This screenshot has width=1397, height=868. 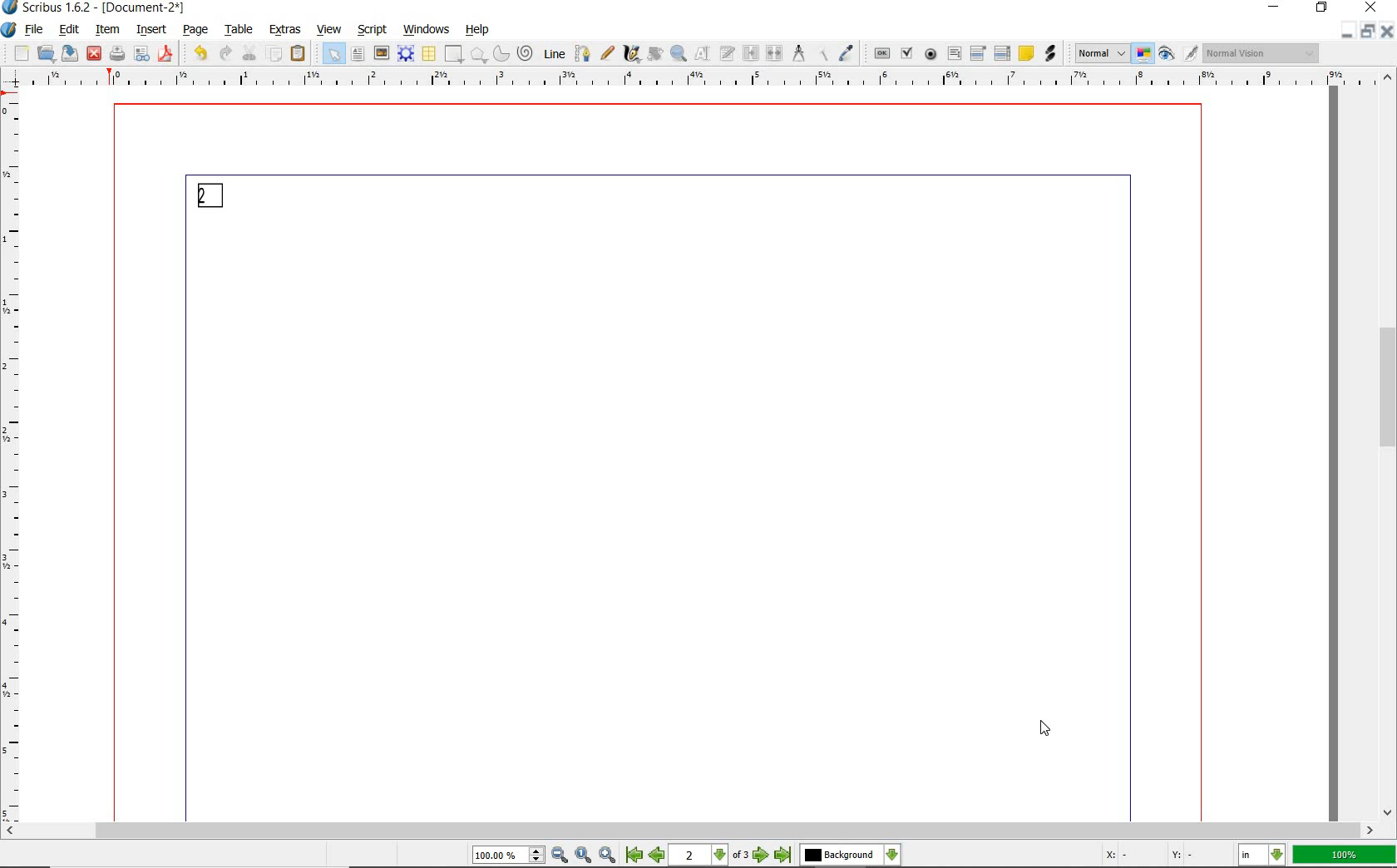 I want to click on line, so click(x=555, y=53).